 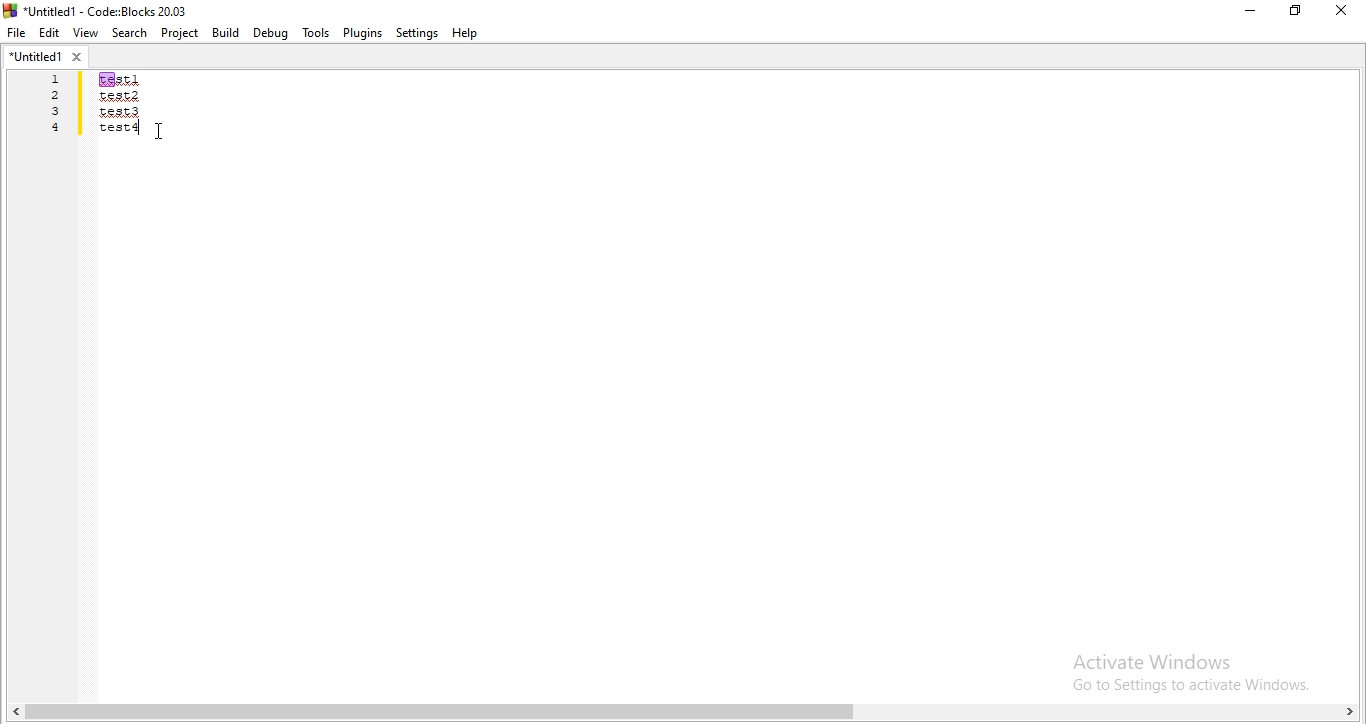 I want to click on Untitled - Code:: blocks 2003, so click(x=98, y=8).